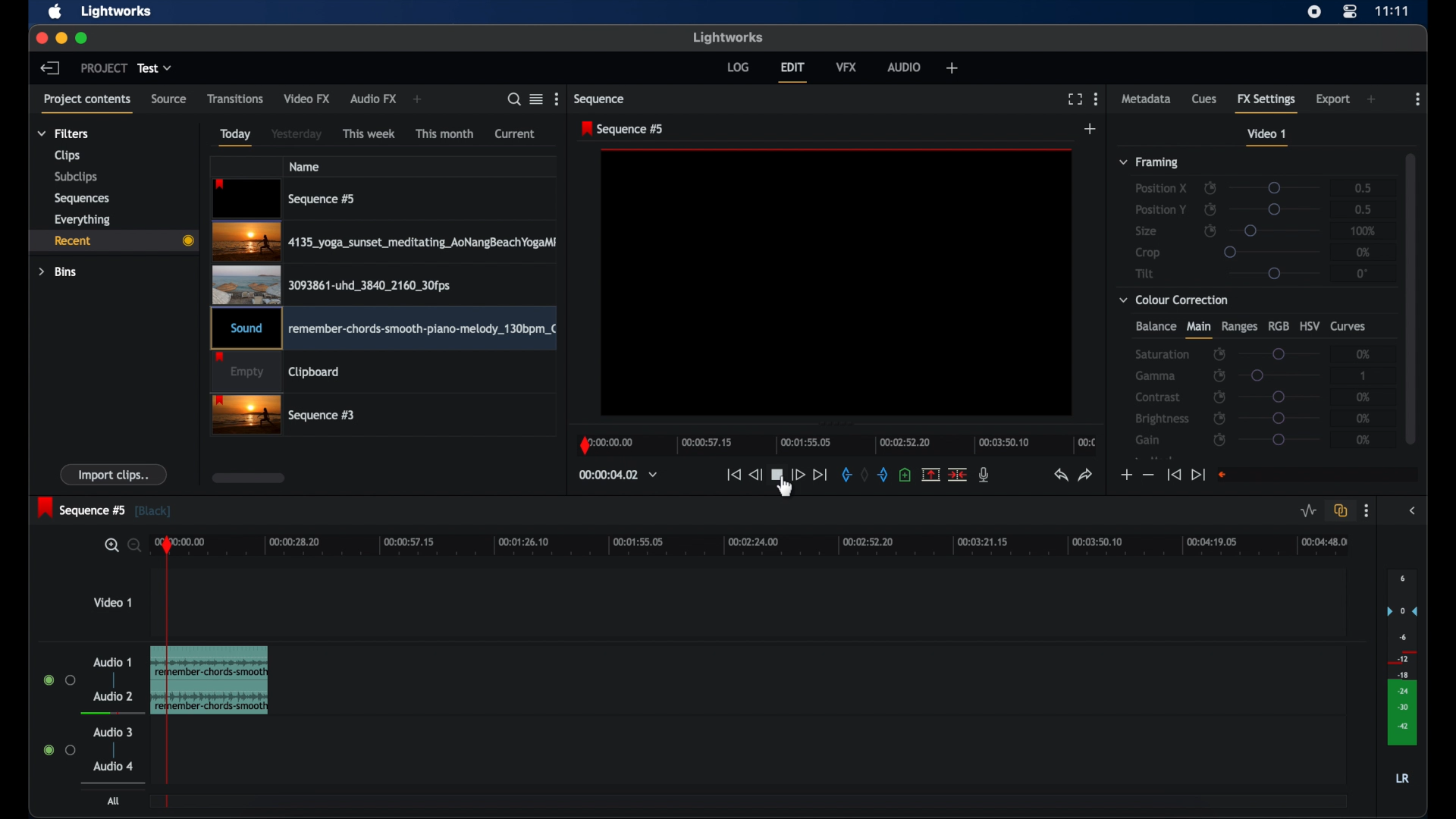 This screenshot has height=819, width=1456. I want to click on more options, so click(1417, 99).